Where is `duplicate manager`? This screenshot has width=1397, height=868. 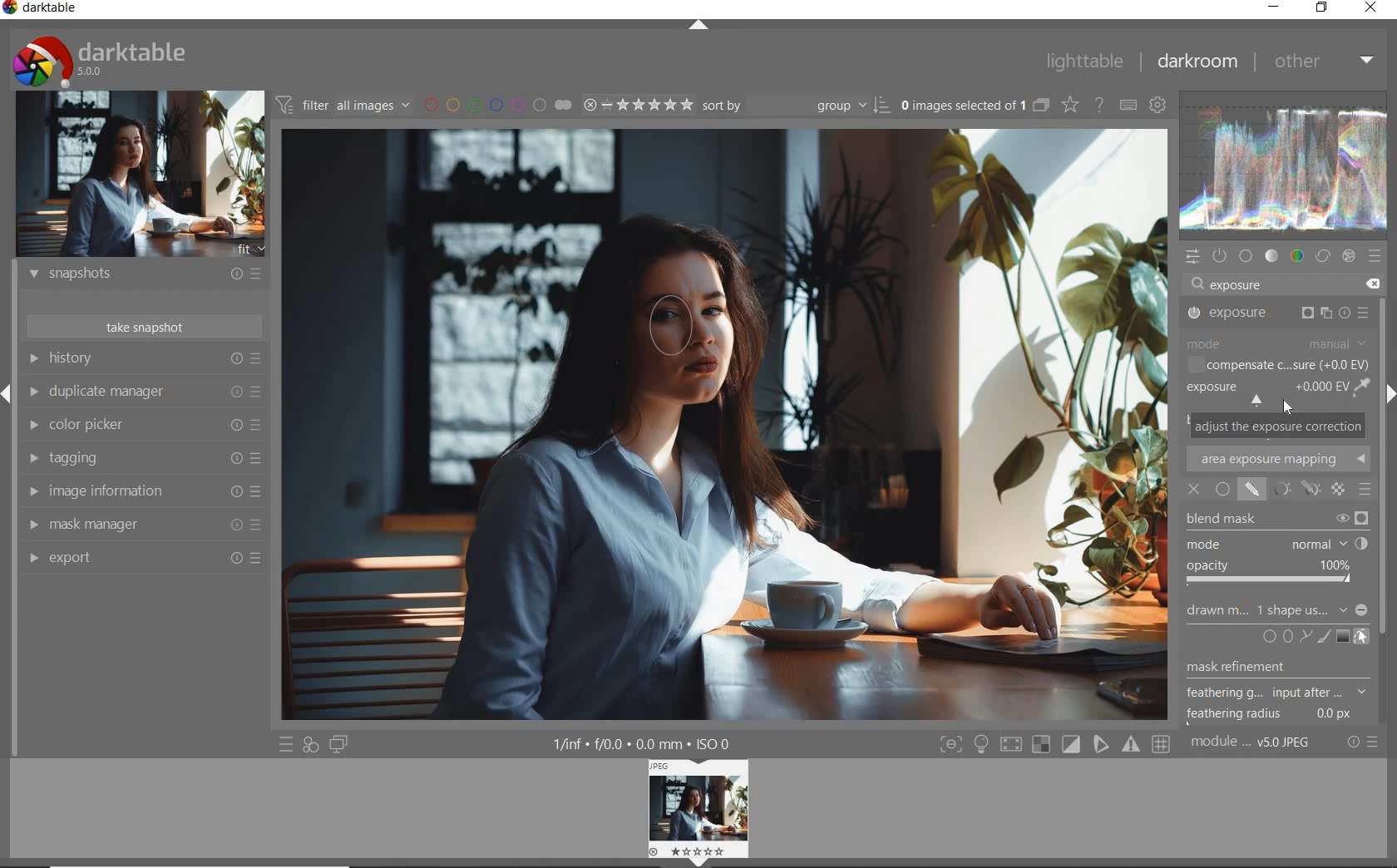
duplicate manager is located at coordinates (146, 392).